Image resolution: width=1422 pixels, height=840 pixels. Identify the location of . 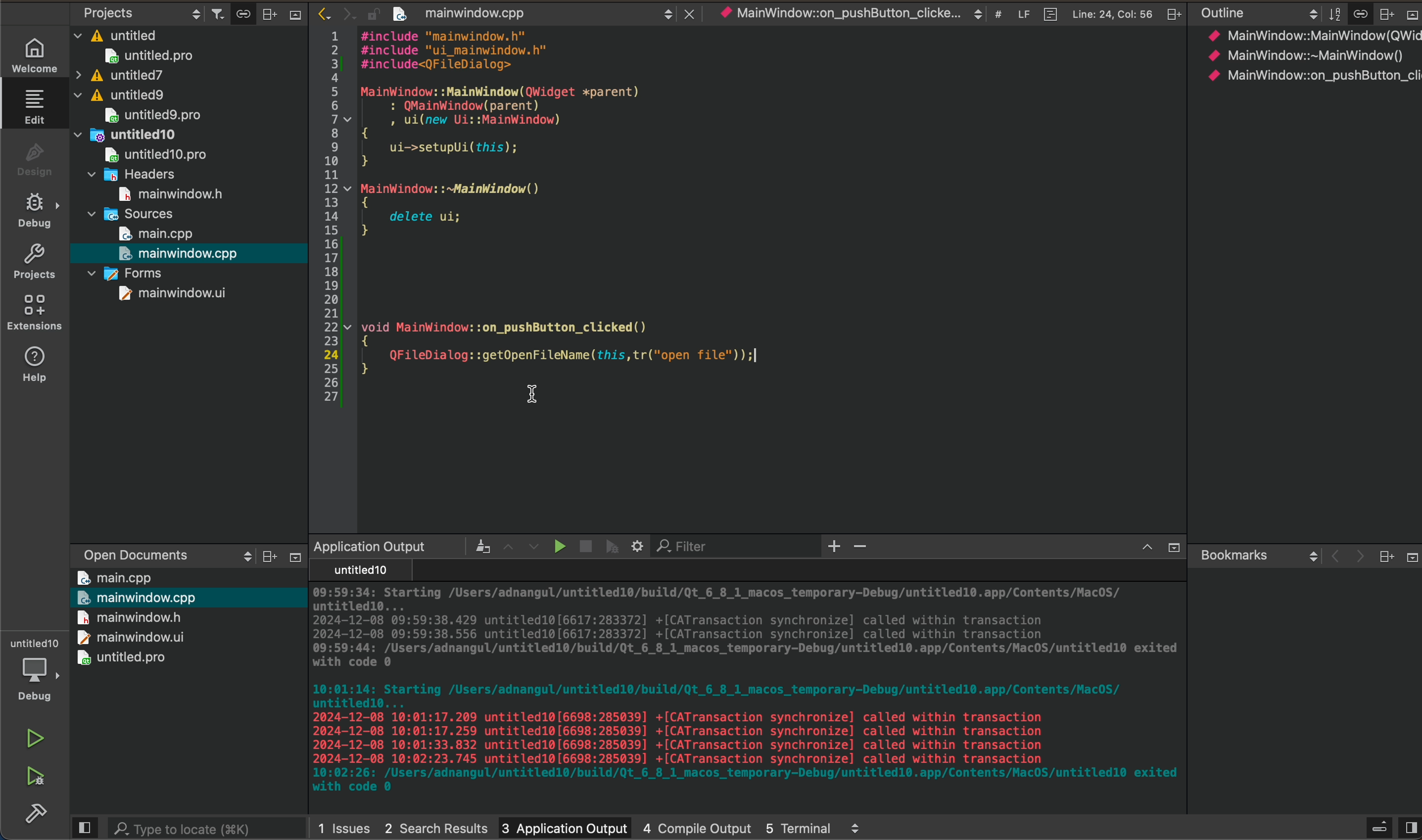
(1171, 14).